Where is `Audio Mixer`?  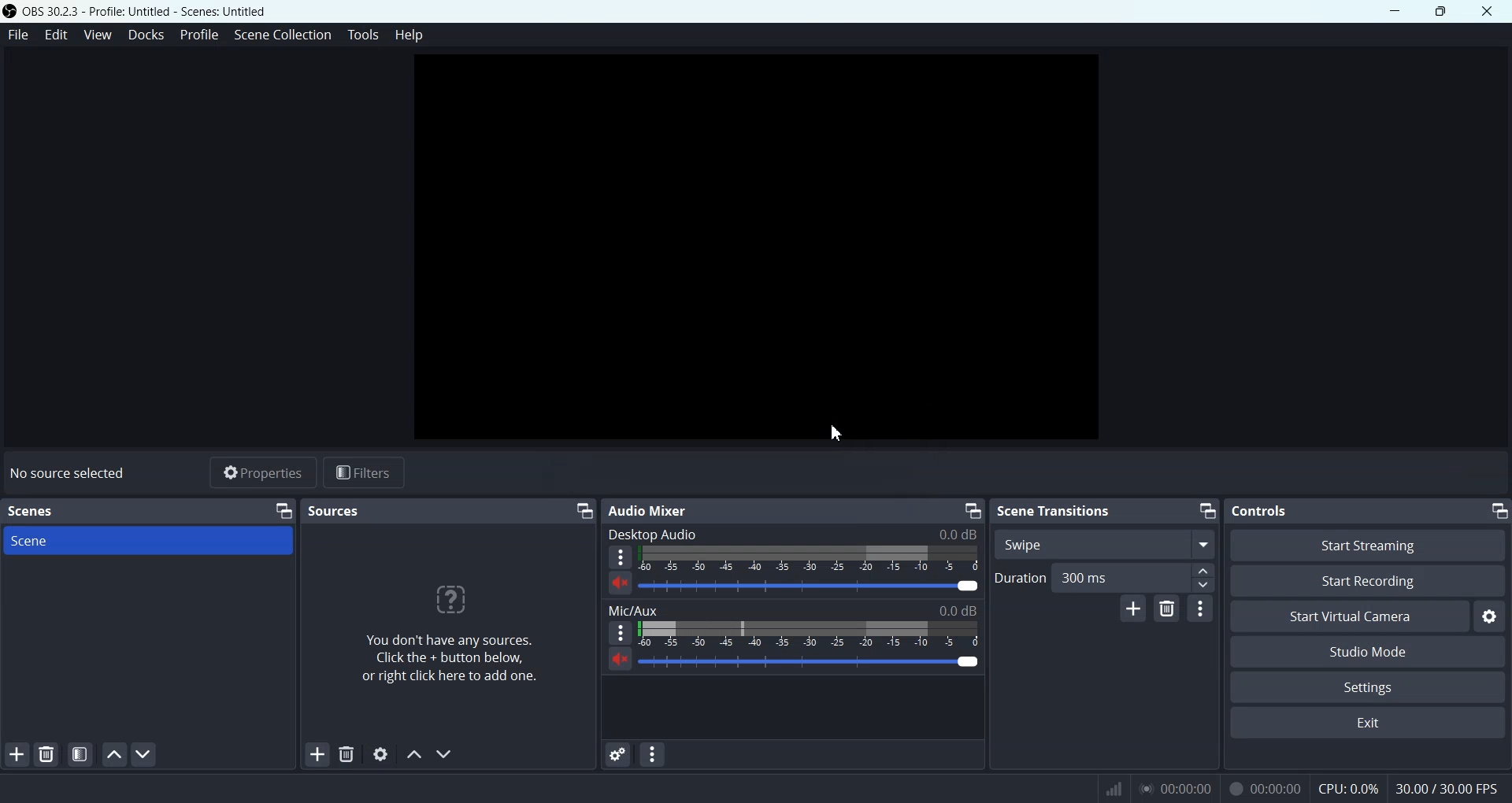 Audio Mixer is located at coordinates (650, 510).